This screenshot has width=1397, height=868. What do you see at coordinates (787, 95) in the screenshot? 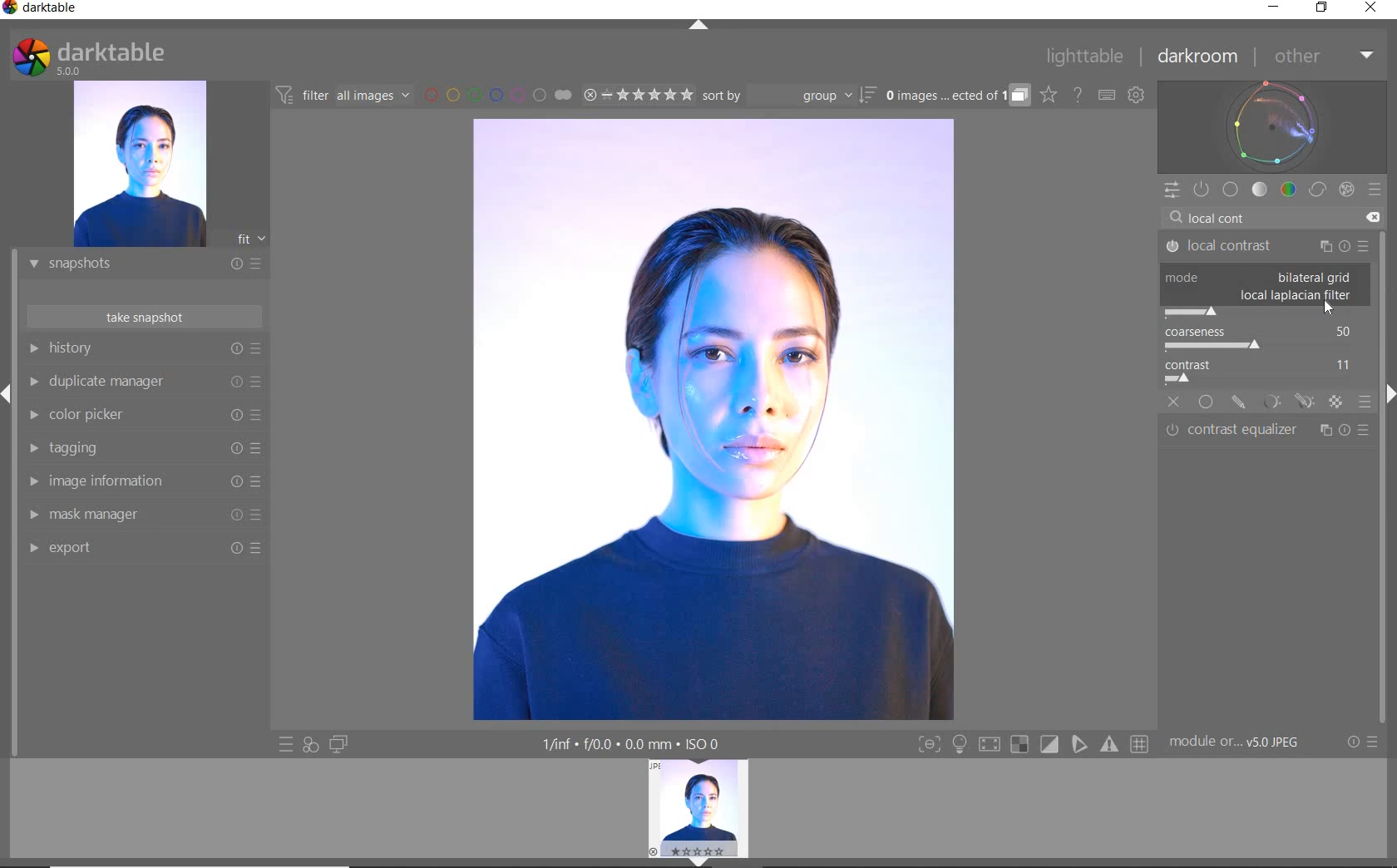
I see `SORT` at bounding box center [787, 95].